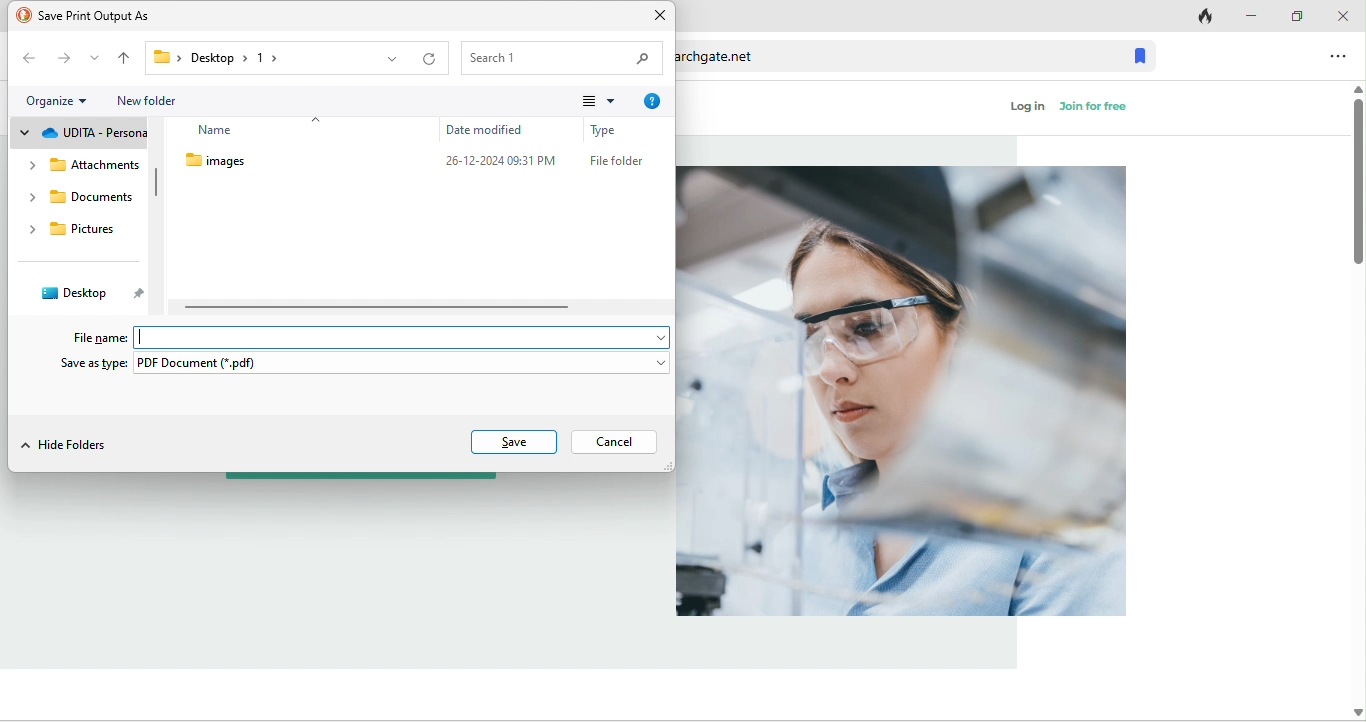  I want to click on down, so click(1353, 708).